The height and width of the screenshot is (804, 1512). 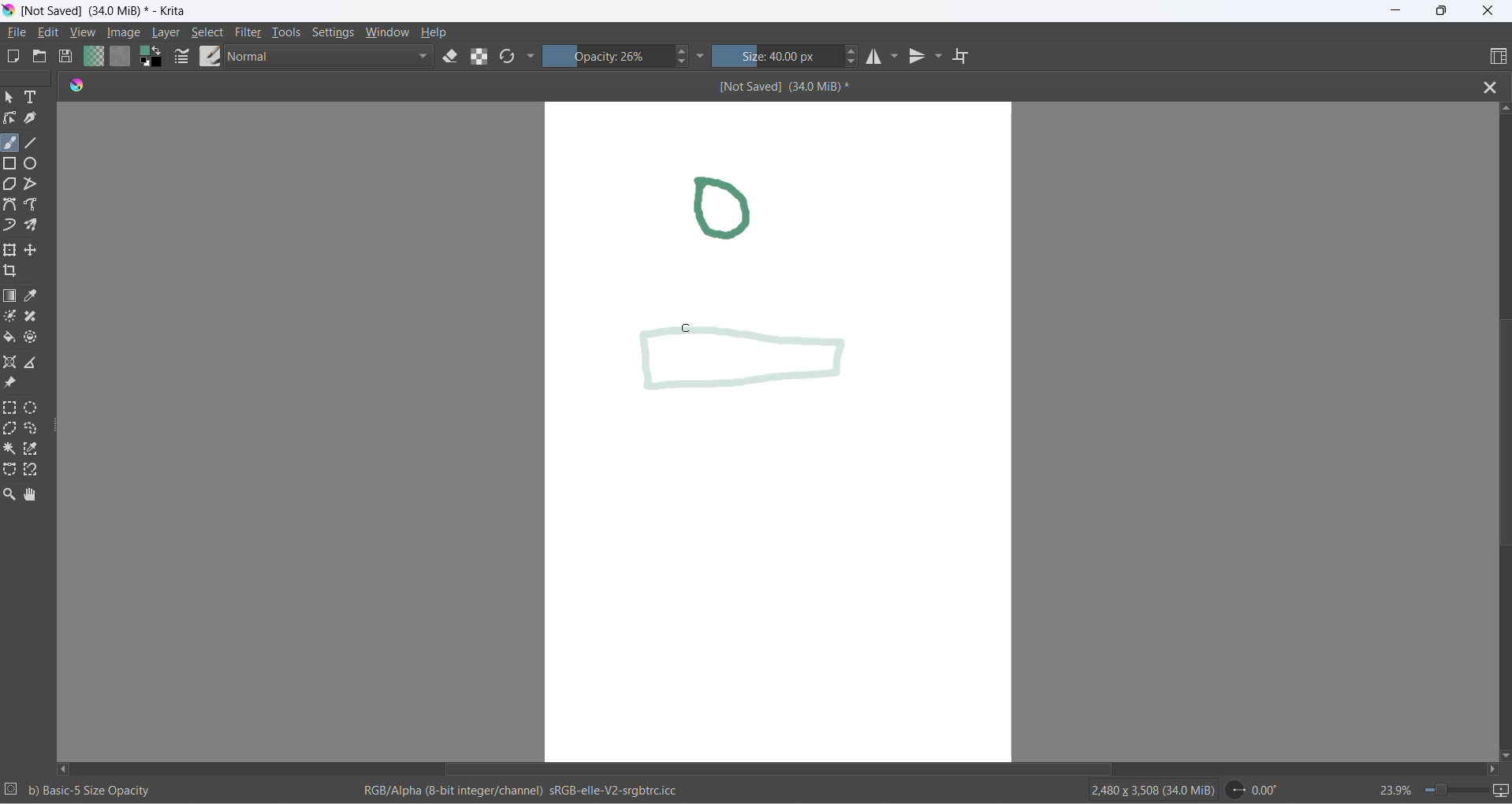 I want to click on size, so click(x=780, y=56).